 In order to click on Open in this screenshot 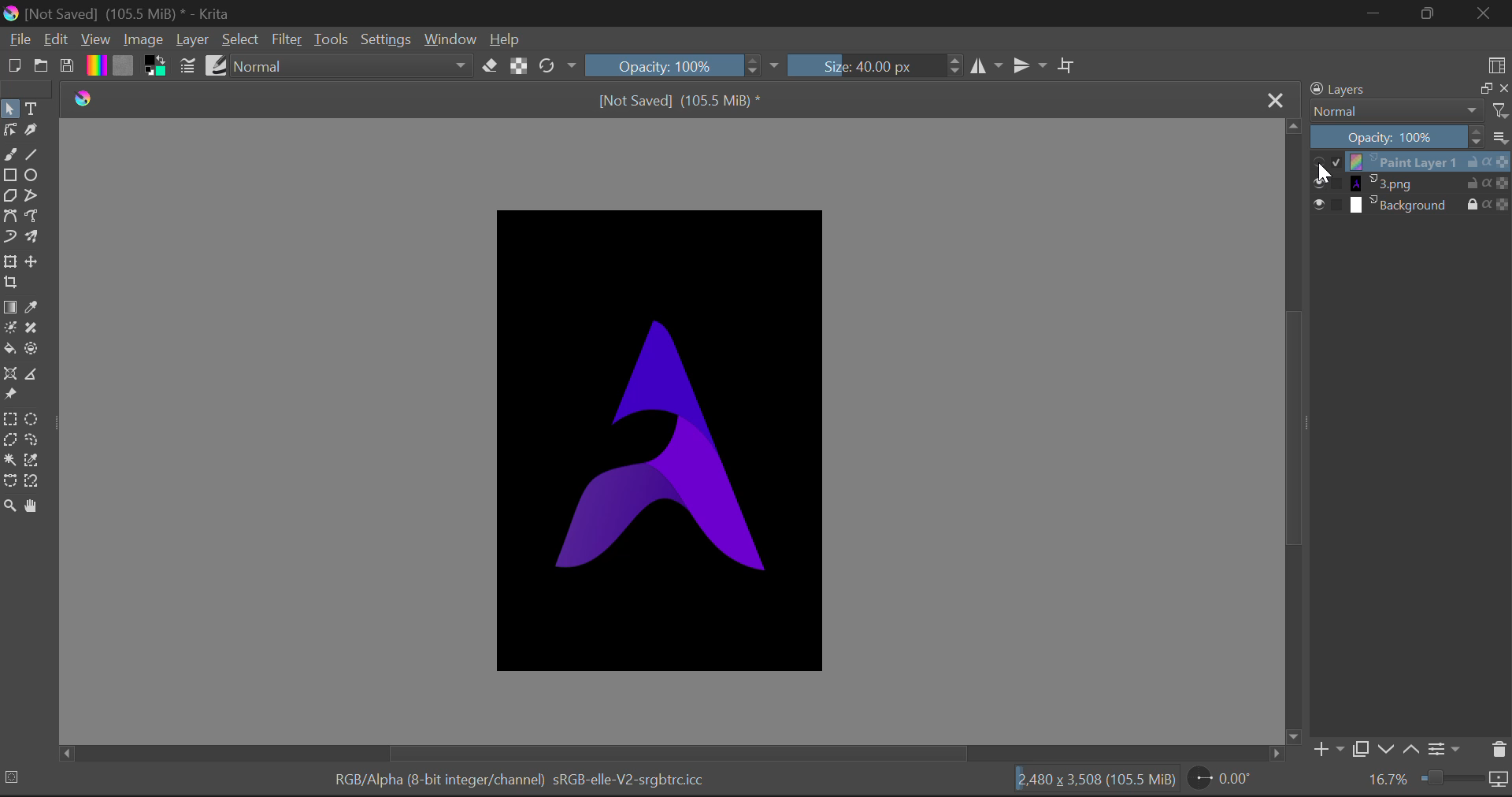, I will do `click(44, 65)`.